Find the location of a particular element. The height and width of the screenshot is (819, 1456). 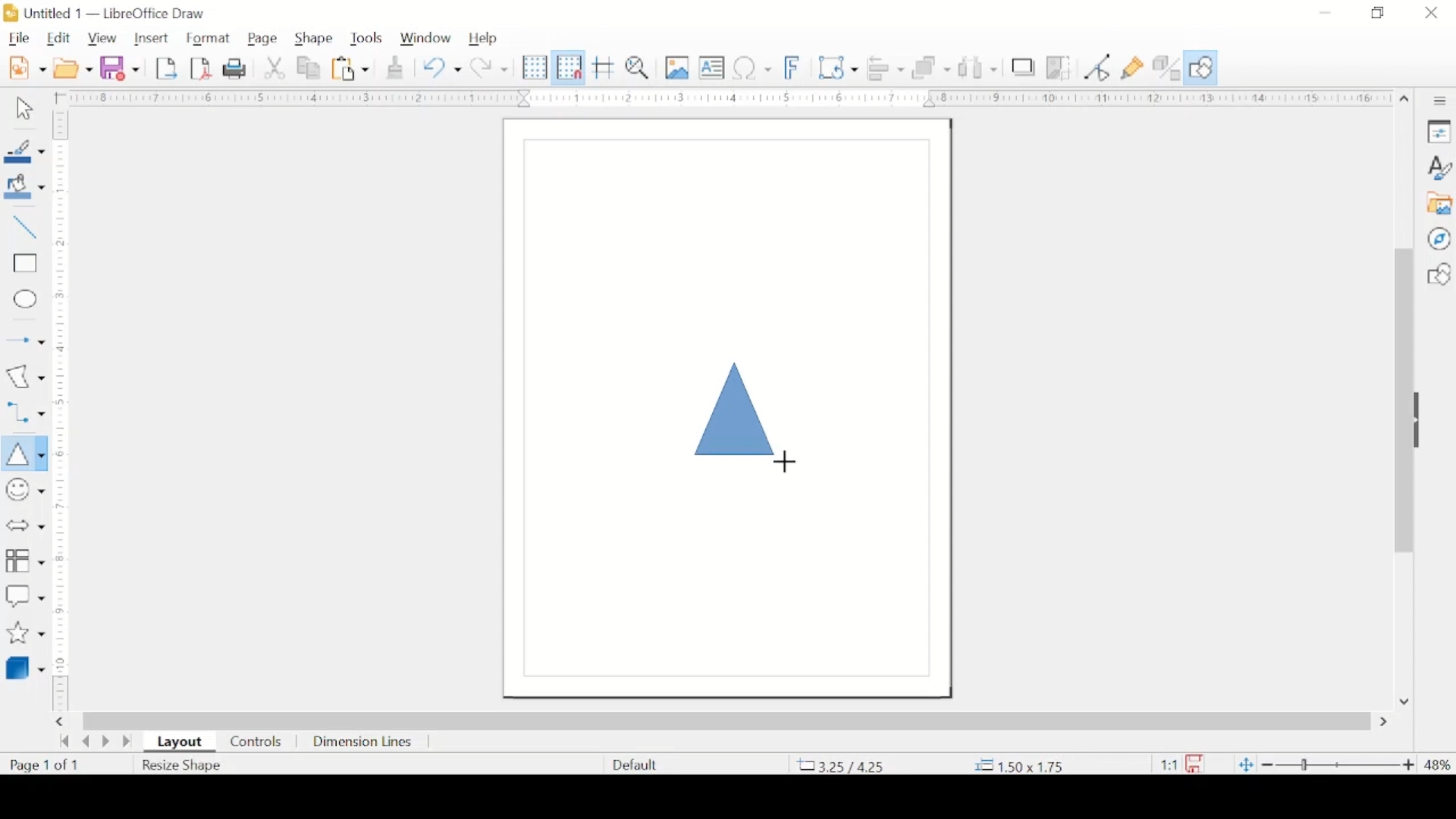

edit is located at coordinates (58, 39).